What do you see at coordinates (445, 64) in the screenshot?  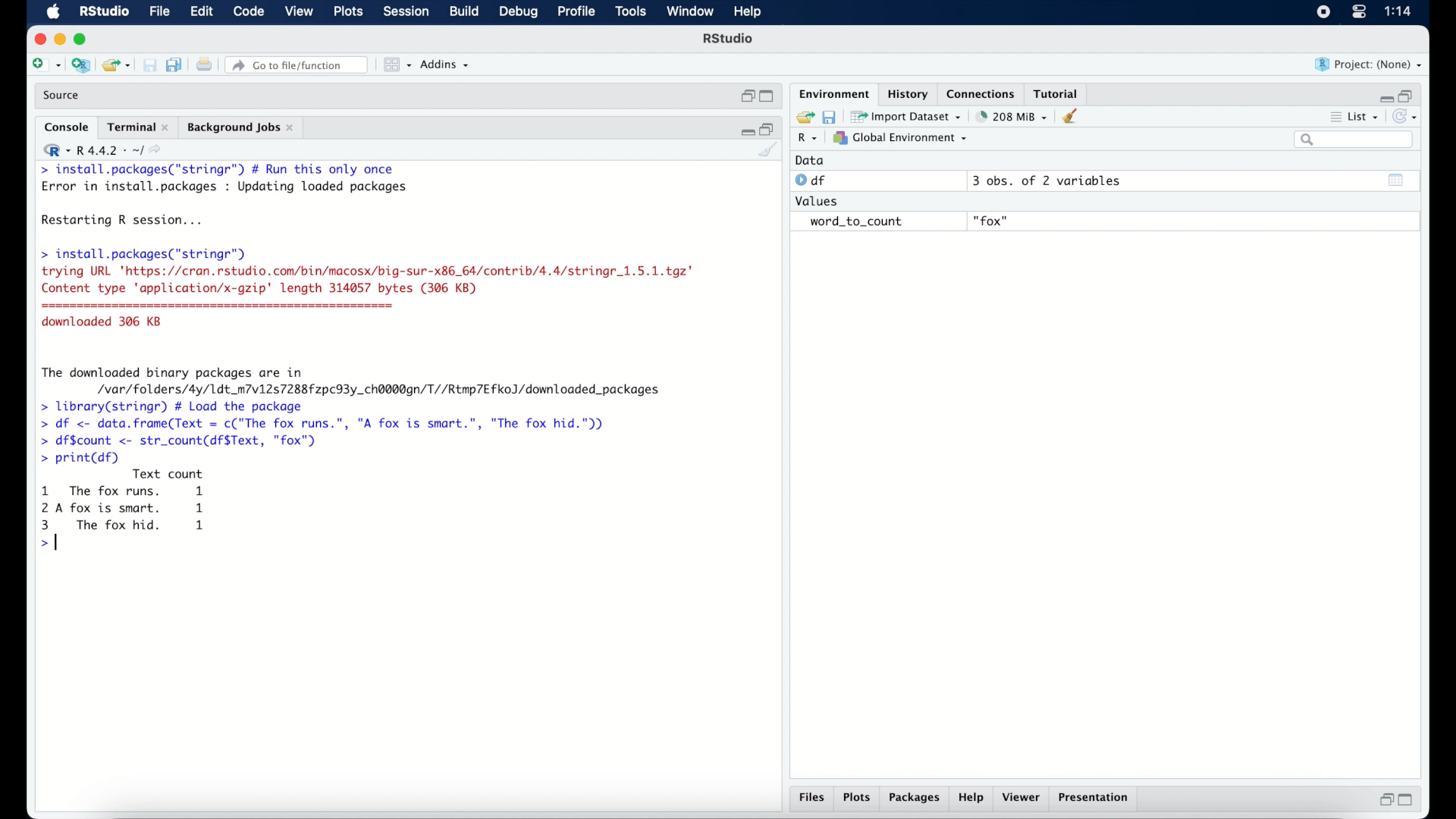 I see `addins` at bounding box center [445, 64].